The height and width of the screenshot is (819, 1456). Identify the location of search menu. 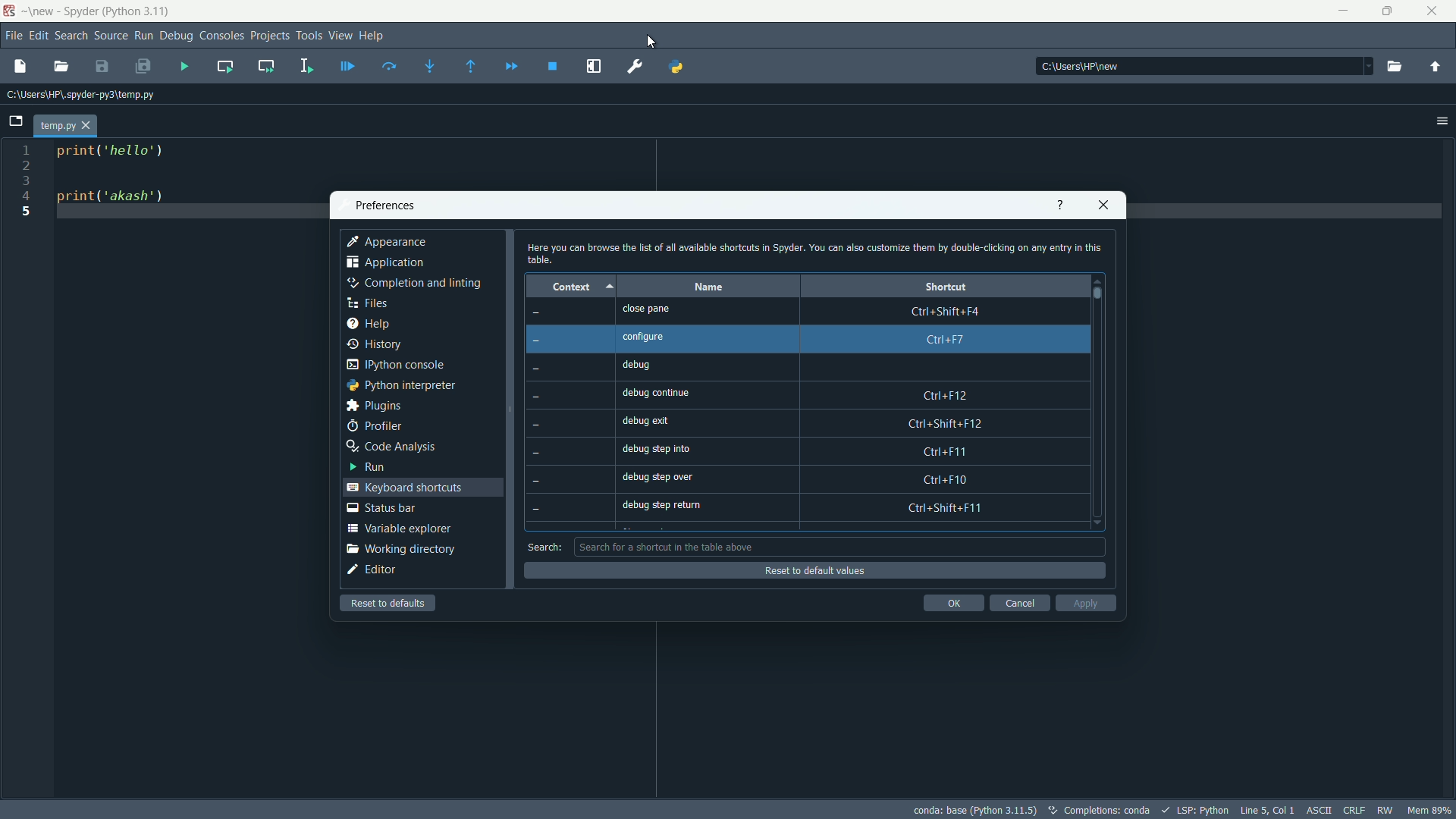
(72, 36).